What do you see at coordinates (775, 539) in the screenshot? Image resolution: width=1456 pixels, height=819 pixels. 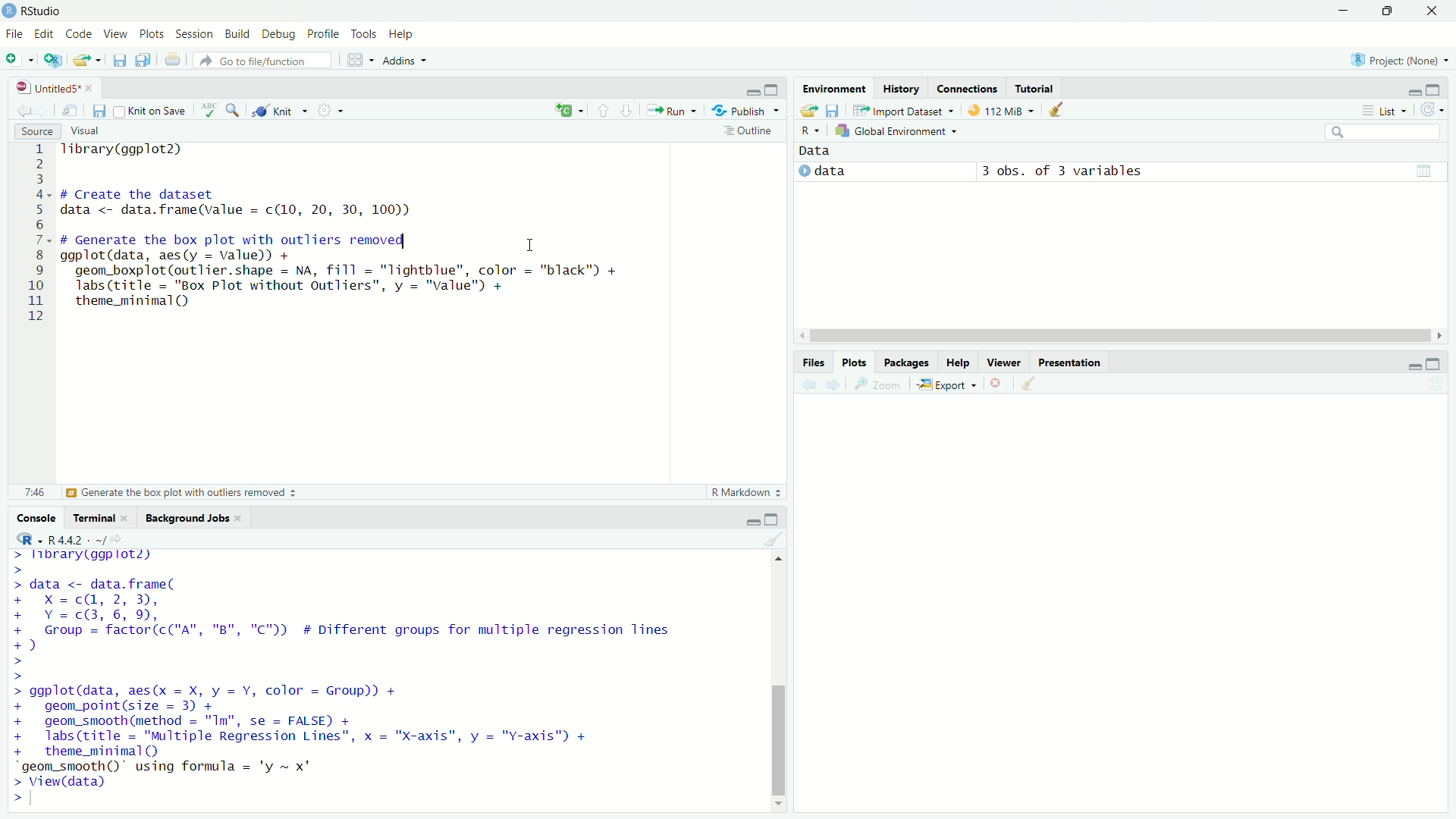 I see `clear` at bounding box center [775, 539].